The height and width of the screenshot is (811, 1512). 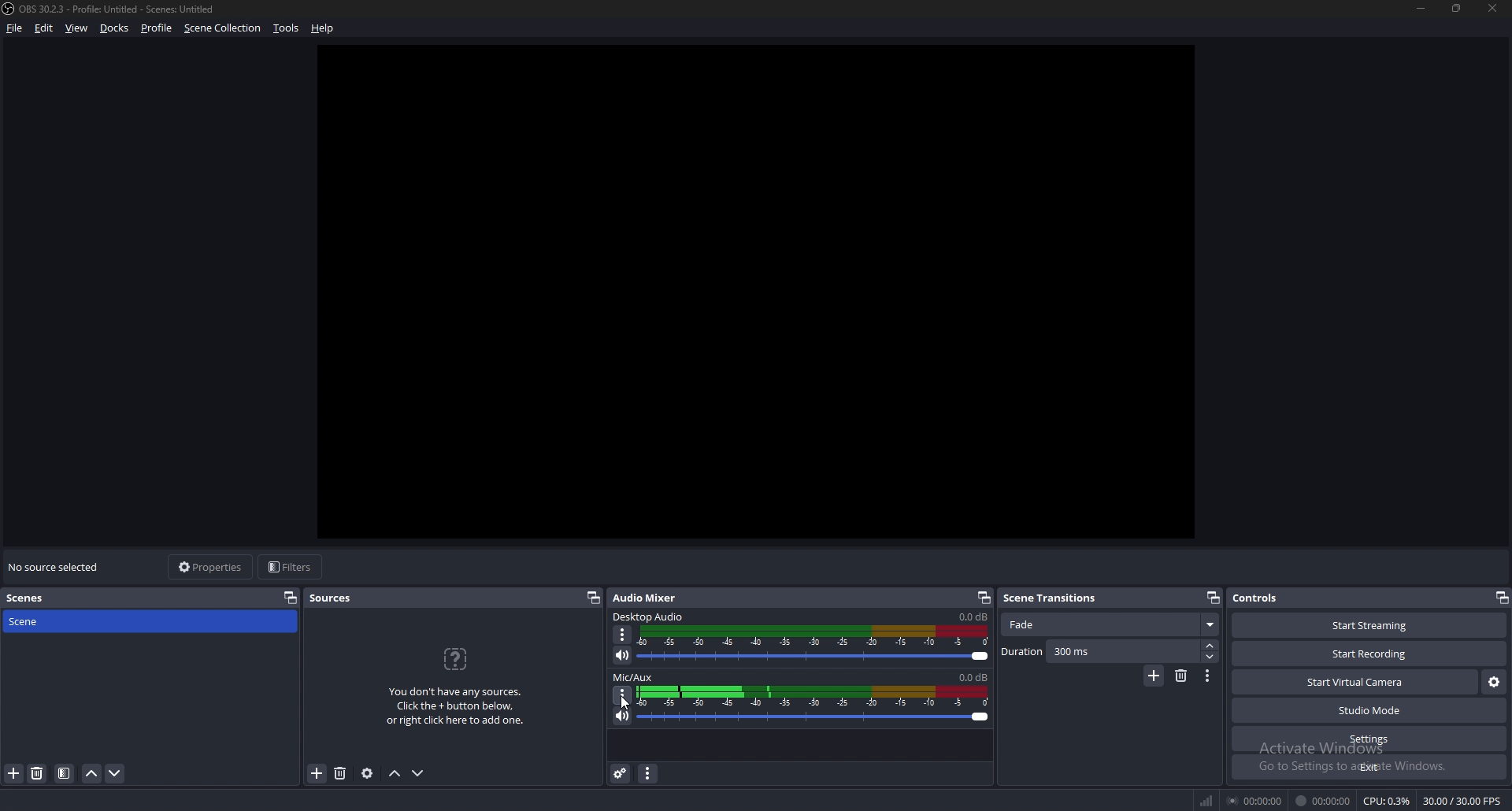 I want to click on pop out, so click(x=1212, y=598).